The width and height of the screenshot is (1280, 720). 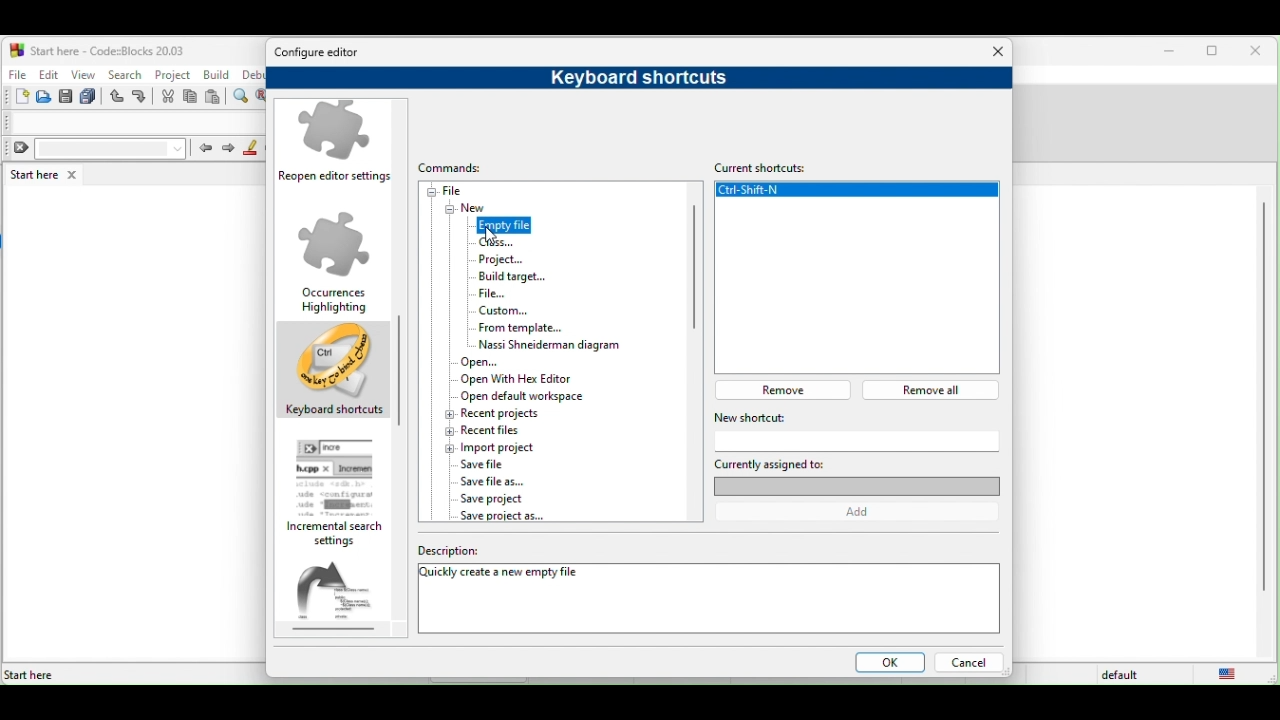 I want to click on file, so click(x=16, y=72).